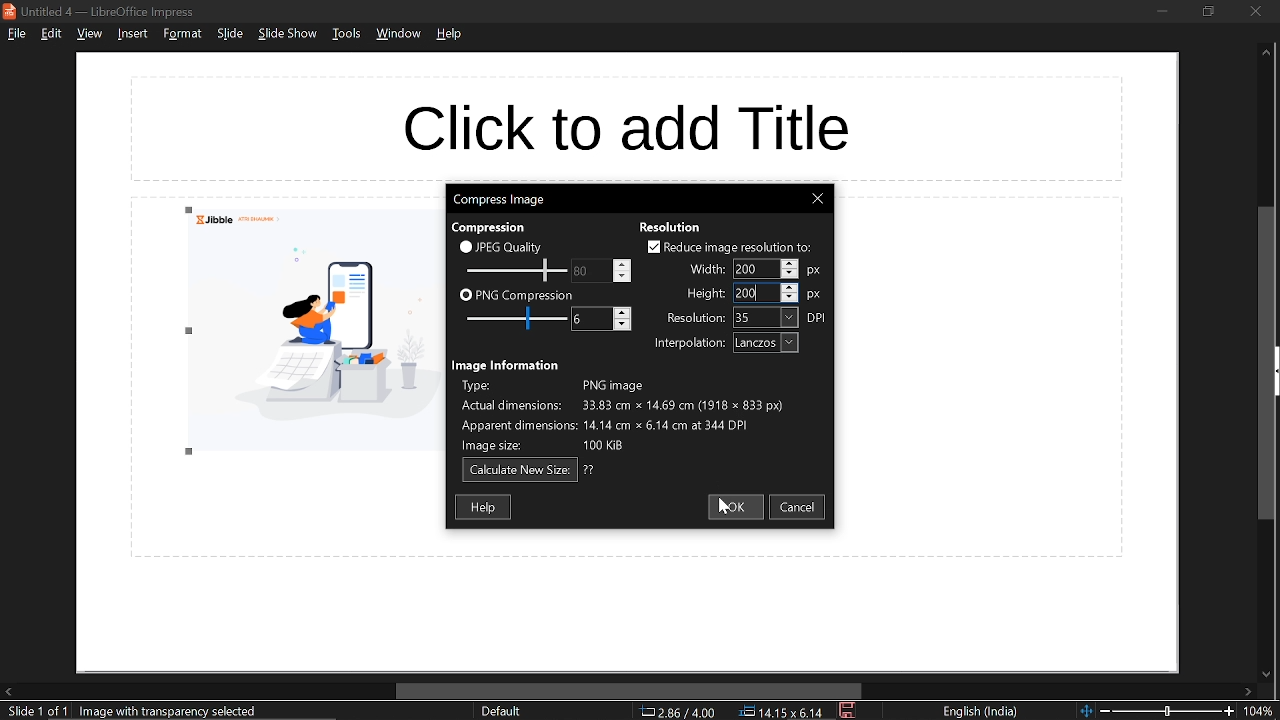 This screenshot has height=720, width=1280. What do you see at coordinates (800, 507) in the screenshot?
I see `cancel` at bounding box center [800, 507].